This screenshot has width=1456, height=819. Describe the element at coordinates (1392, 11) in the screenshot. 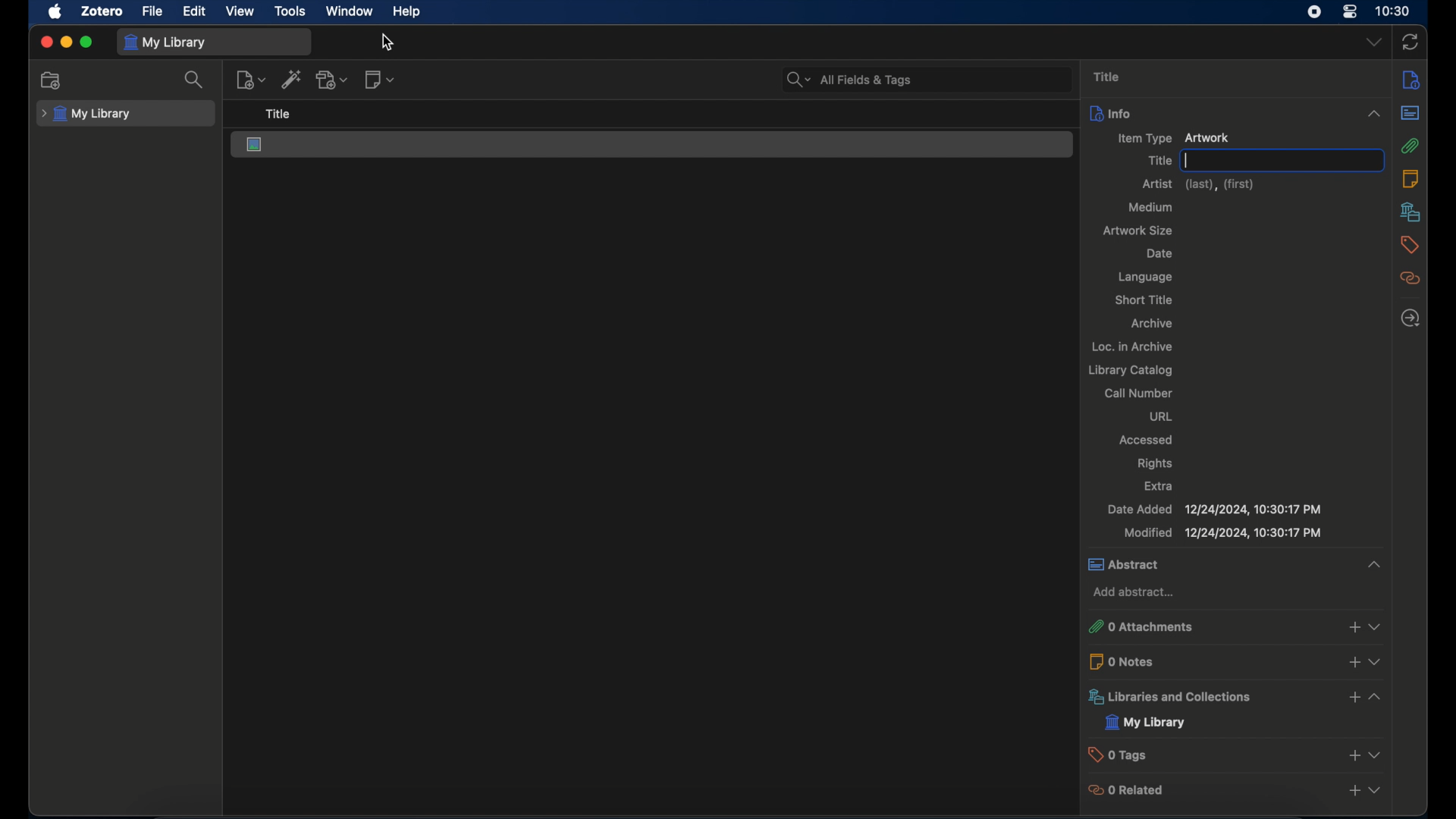

I see `time` at that location.